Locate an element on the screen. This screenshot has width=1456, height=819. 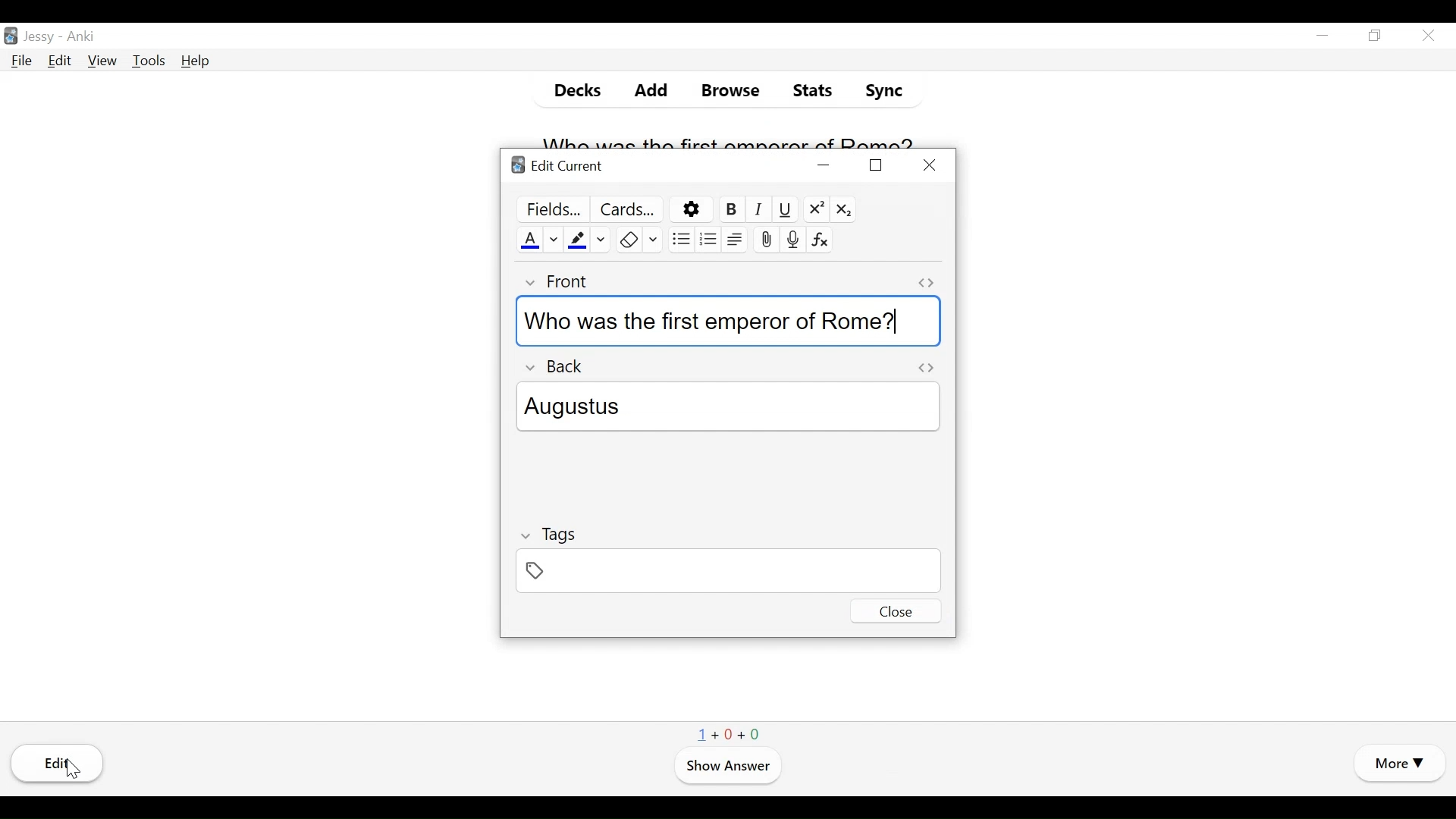
Superscript is located at coordinates (816, 209).